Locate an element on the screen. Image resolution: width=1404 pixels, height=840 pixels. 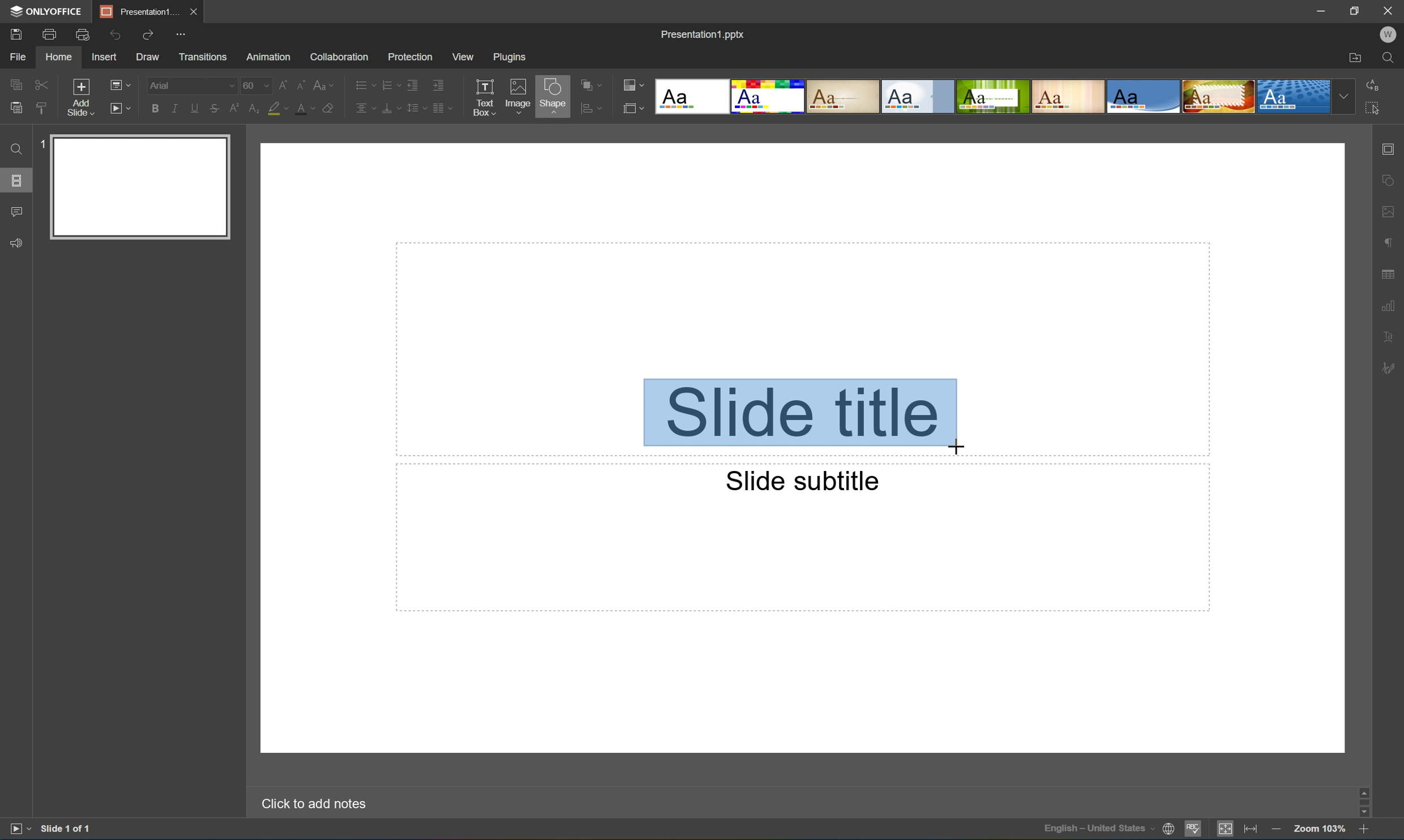
Insert column is located at coordinates (446, 108).